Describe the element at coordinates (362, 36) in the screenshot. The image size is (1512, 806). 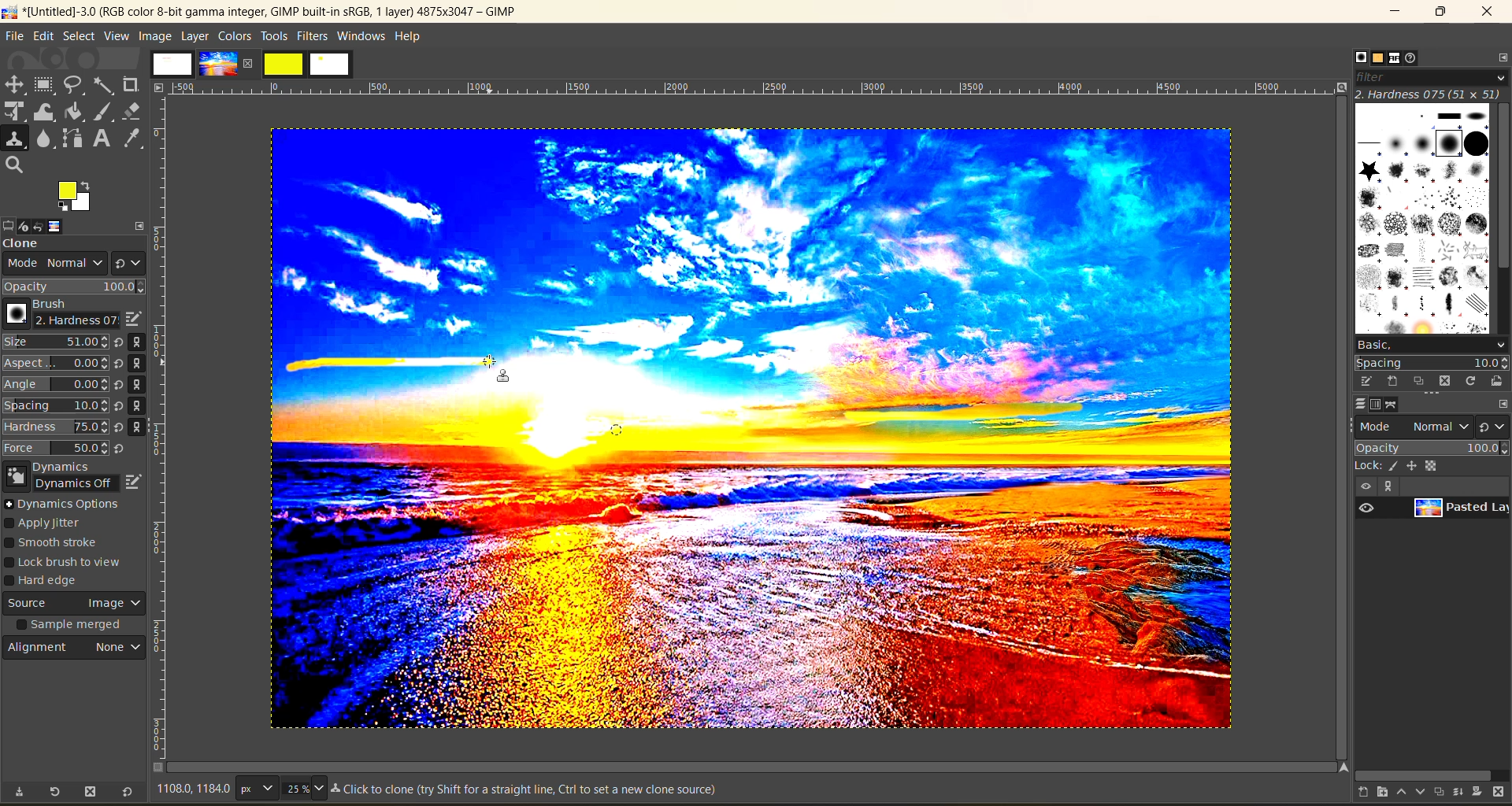
I see `windows` at that location.